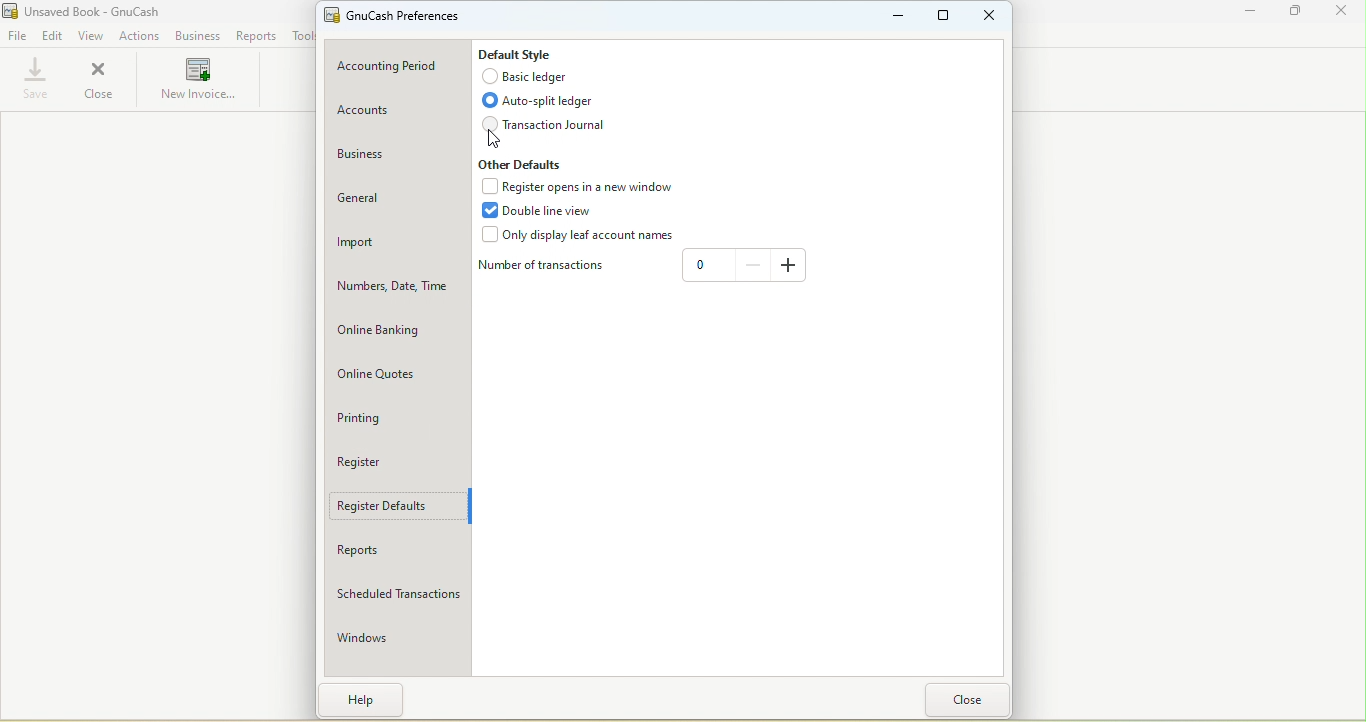 This screenshot has height=722, width=1366. What do you see at coordinates (581, 186) in the screenshot?
I see `Register opens in a new window` at bounding box center [581, 186].